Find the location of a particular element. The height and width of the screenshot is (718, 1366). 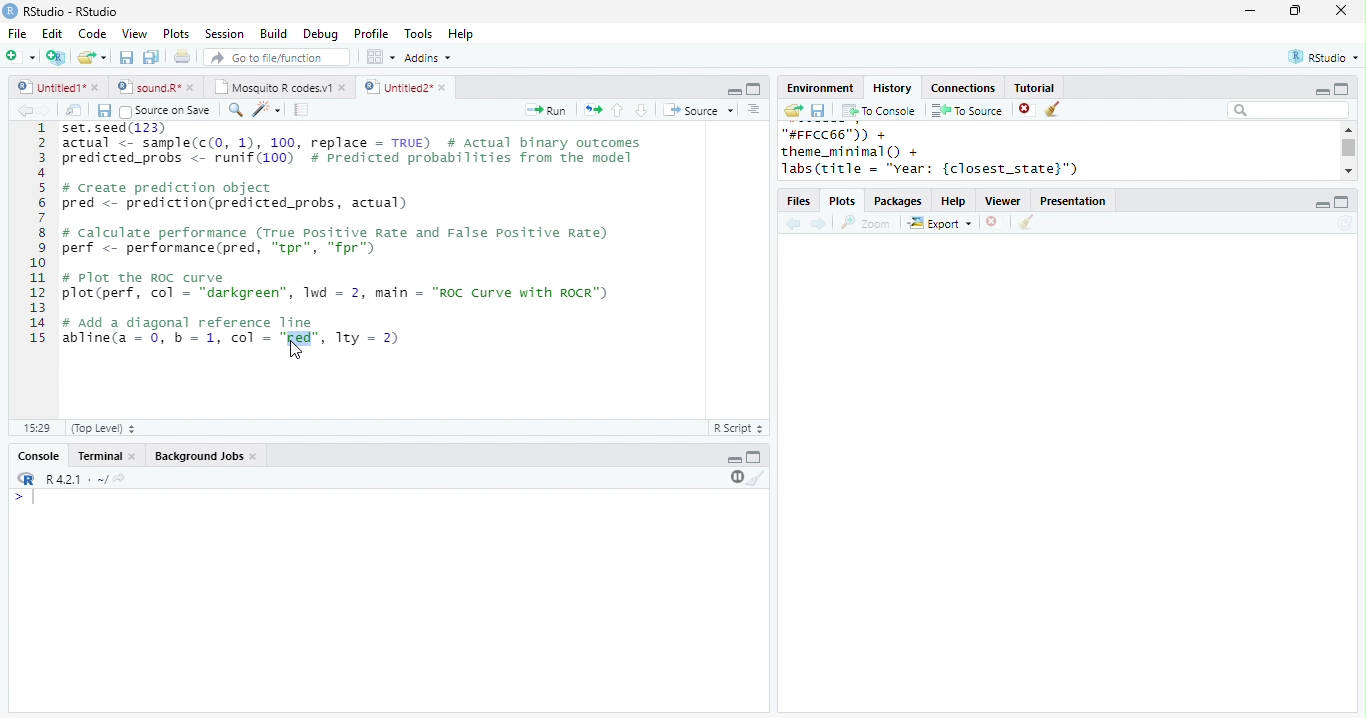

Tools is located at coordinates (419, 34).